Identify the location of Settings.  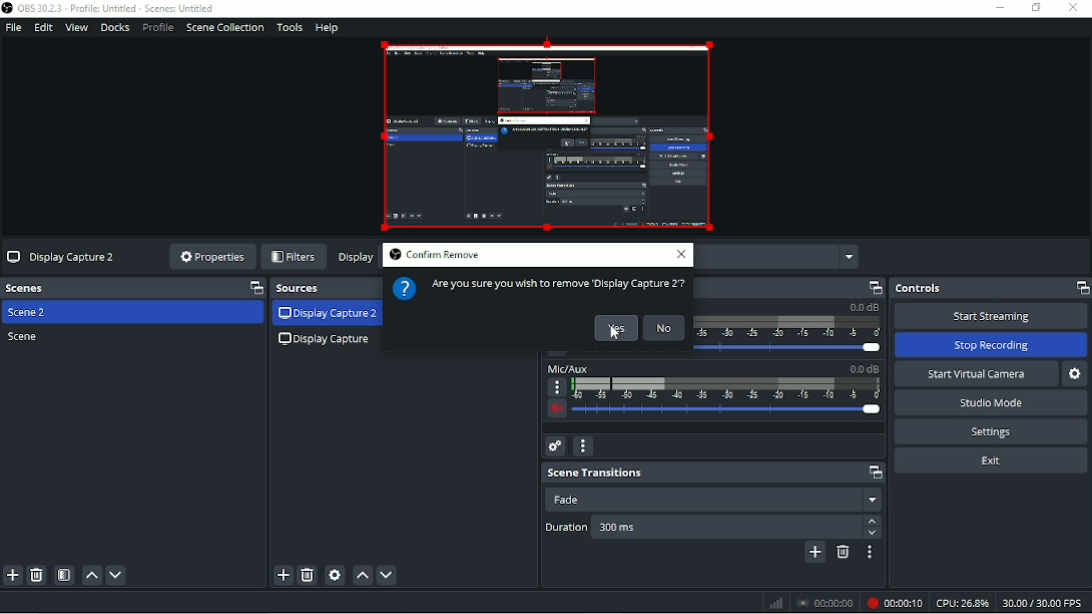
(993, 432).